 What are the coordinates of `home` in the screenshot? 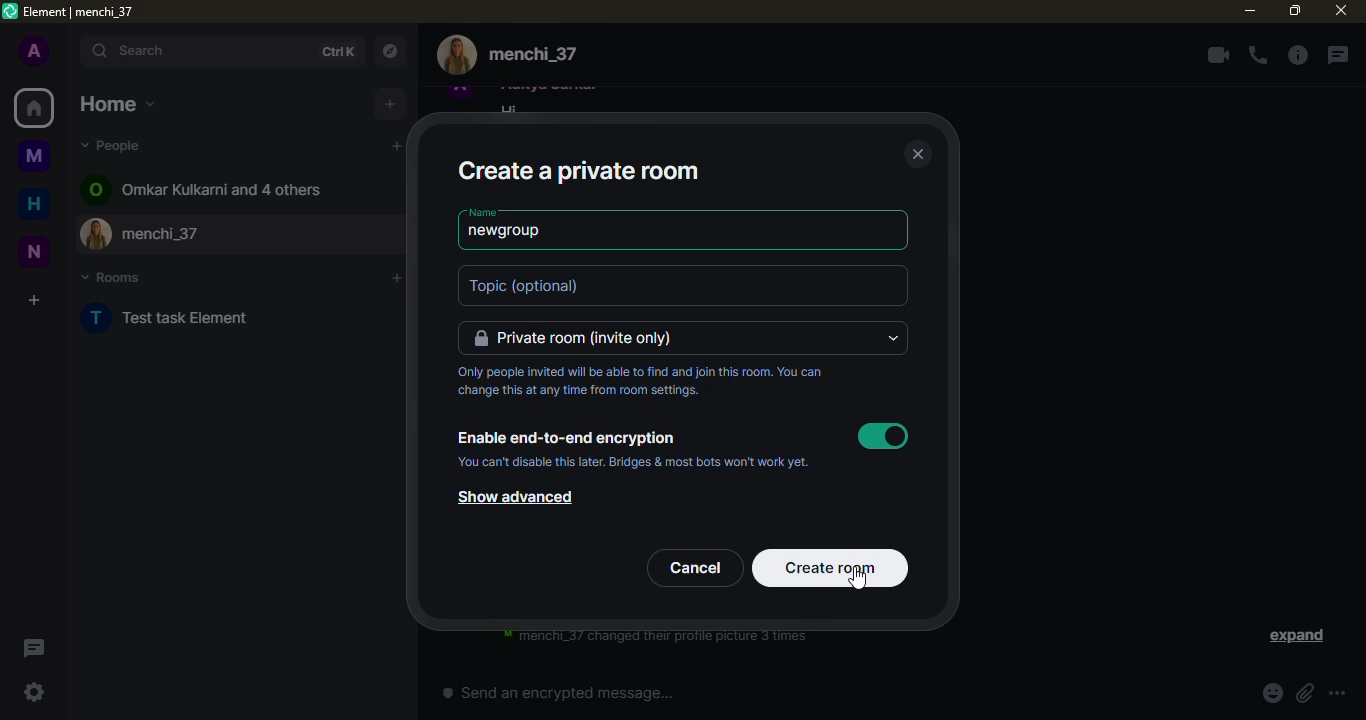 It's located at (34, 108).